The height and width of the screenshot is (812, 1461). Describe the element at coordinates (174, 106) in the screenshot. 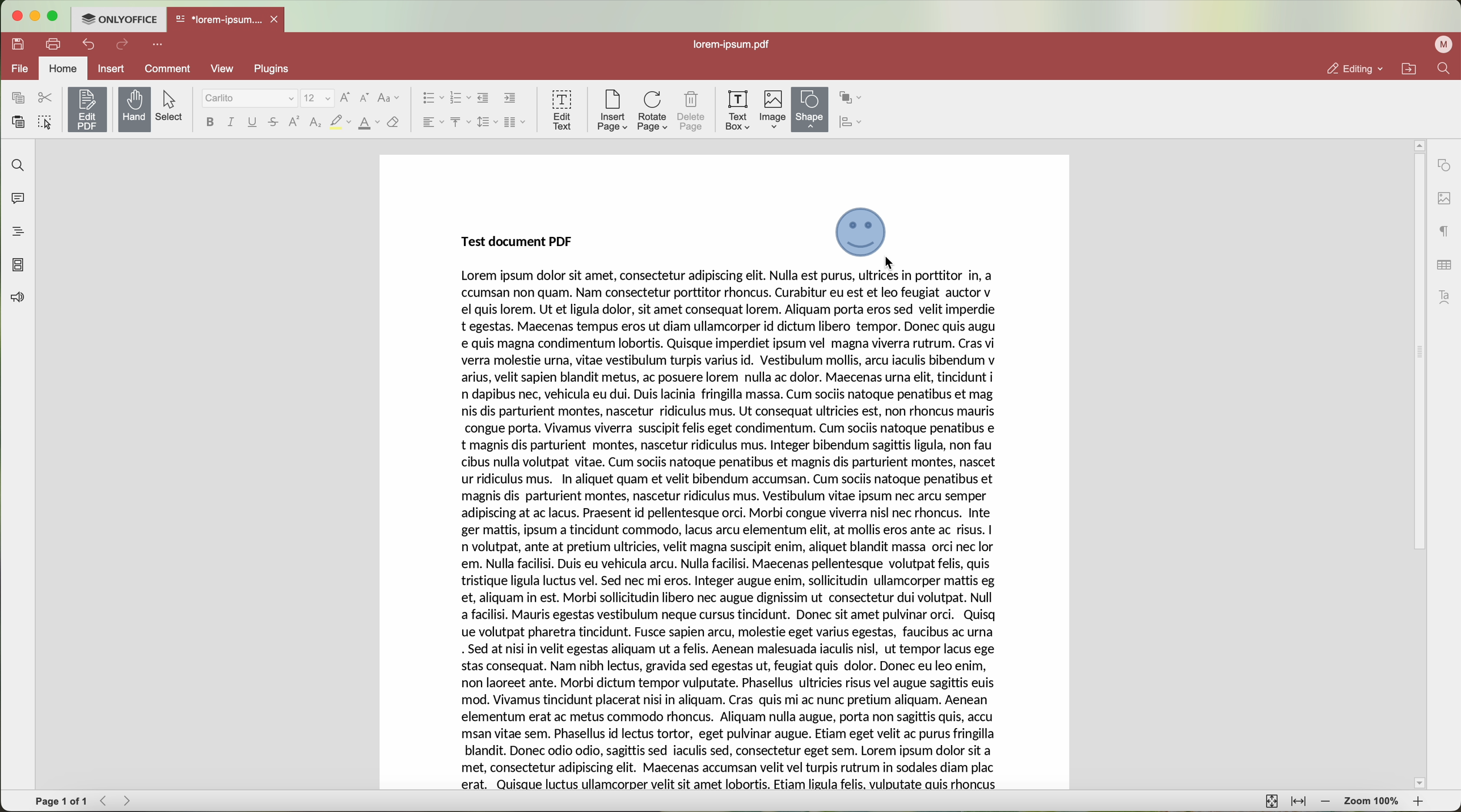

I see `select` at that location.